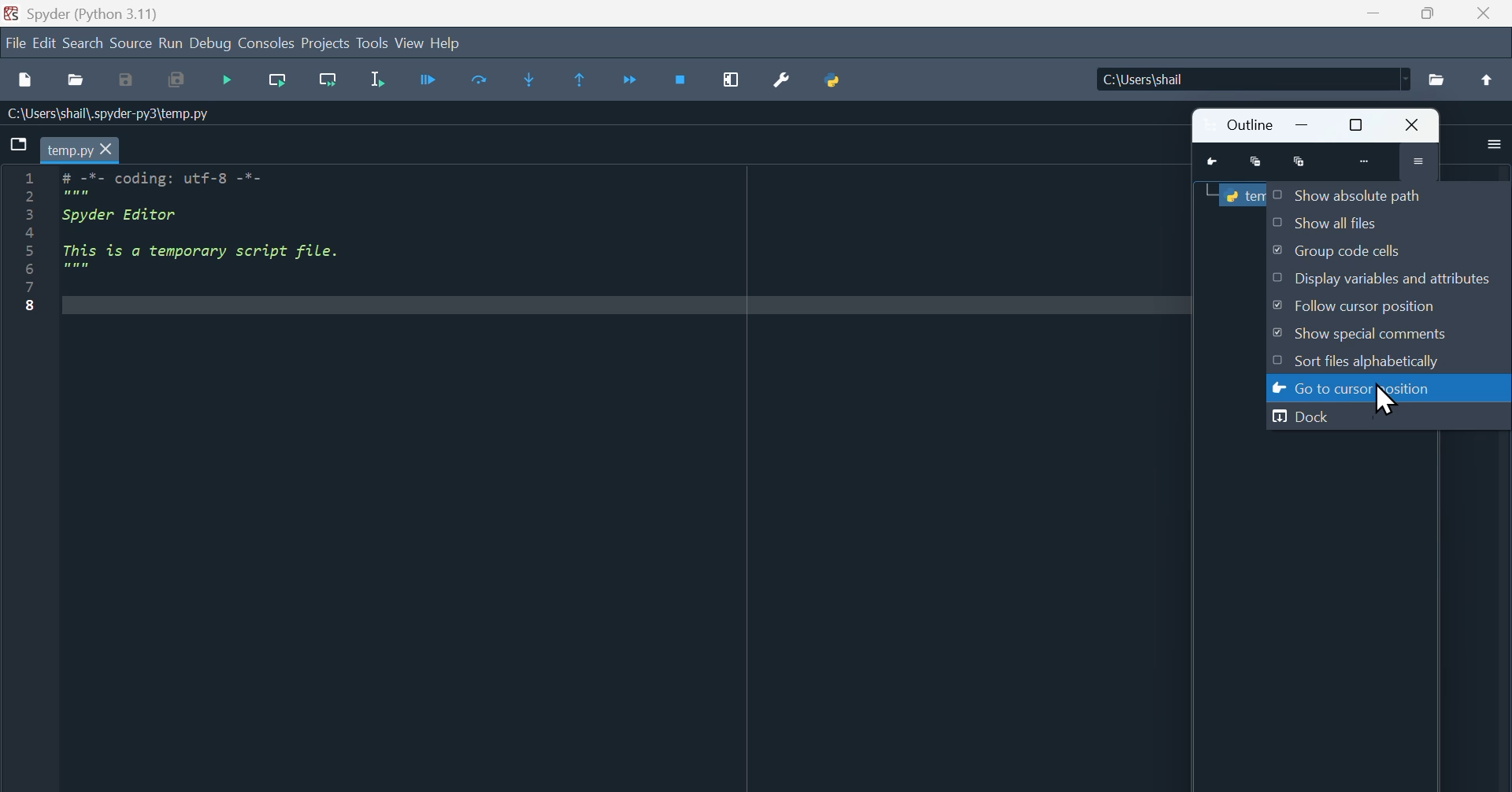 The height and width of the screenshot is (792, 1512). I want to click on Show all files, so click(1326, 222).